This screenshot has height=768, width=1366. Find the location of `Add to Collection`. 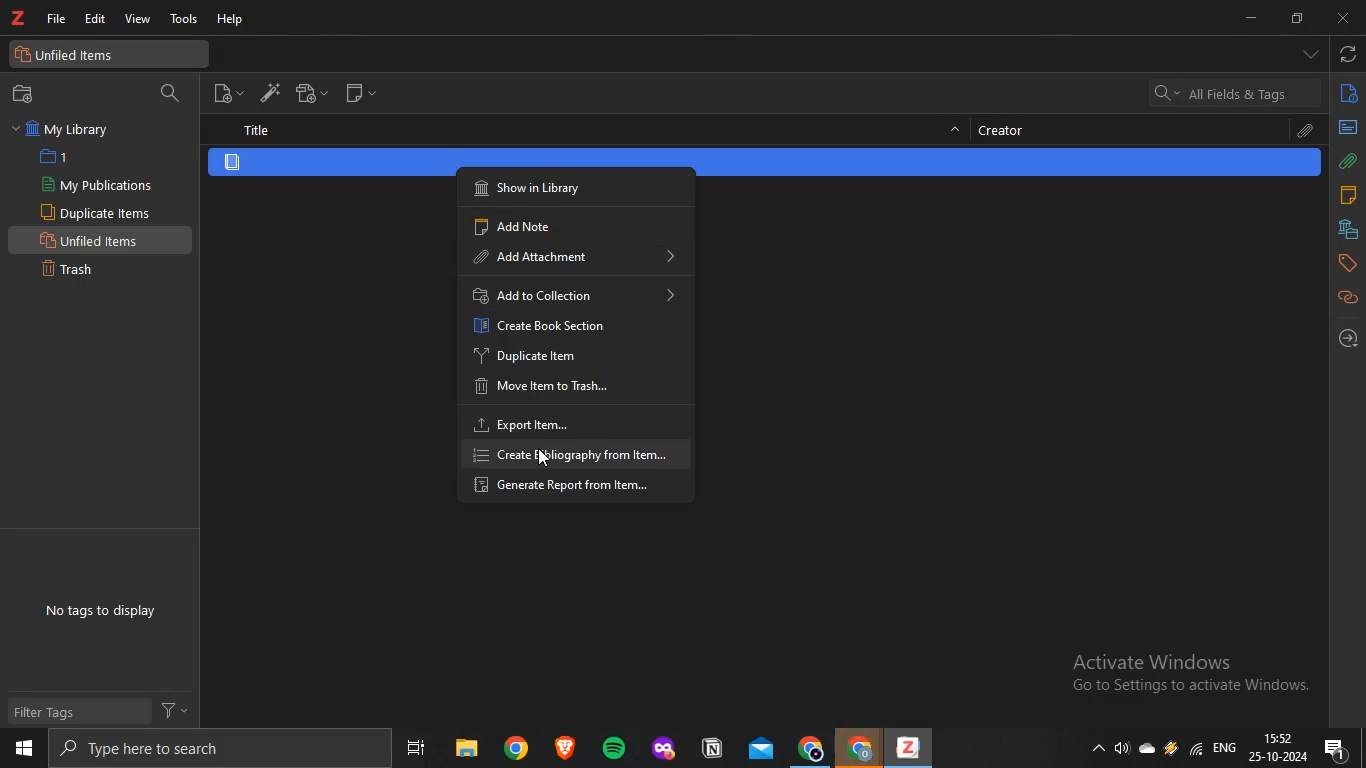

Add to Collection is located at coordinates (574, 295).